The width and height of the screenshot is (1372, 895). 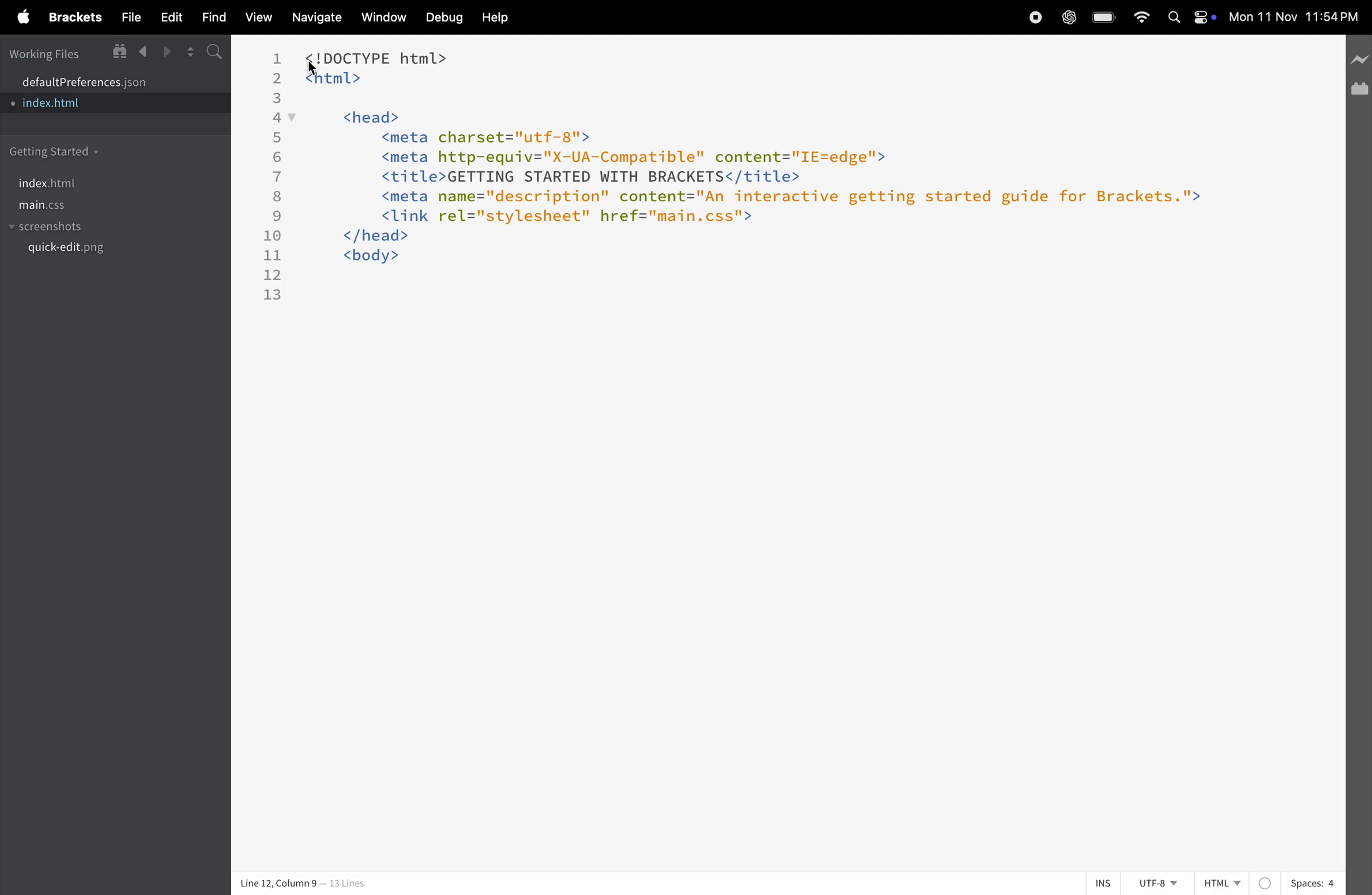 What do you see at coordinates (276, 138) in the screenshot?
I see `5` at bounding box center [276, 138].